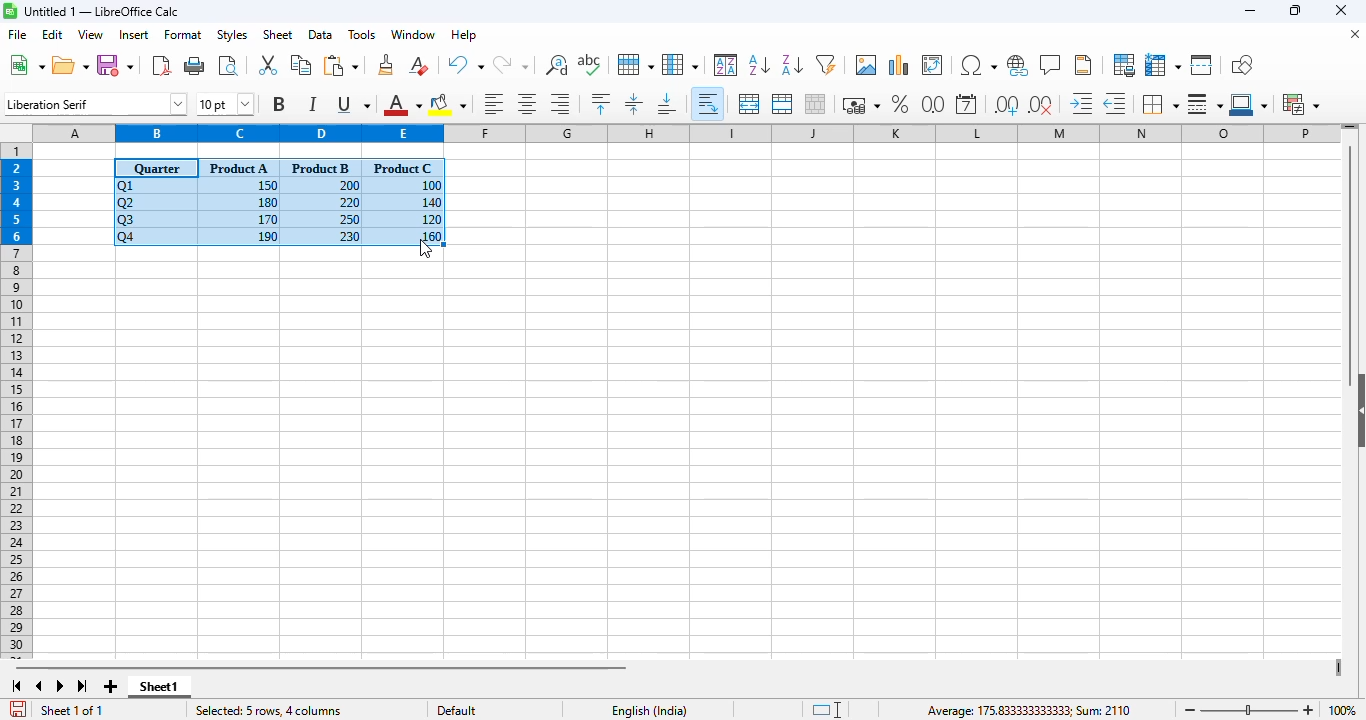  What do you see at coordinates (419, 65) in the screenshot?
I see `clear direct formatting` at bounding box center [419, 65].